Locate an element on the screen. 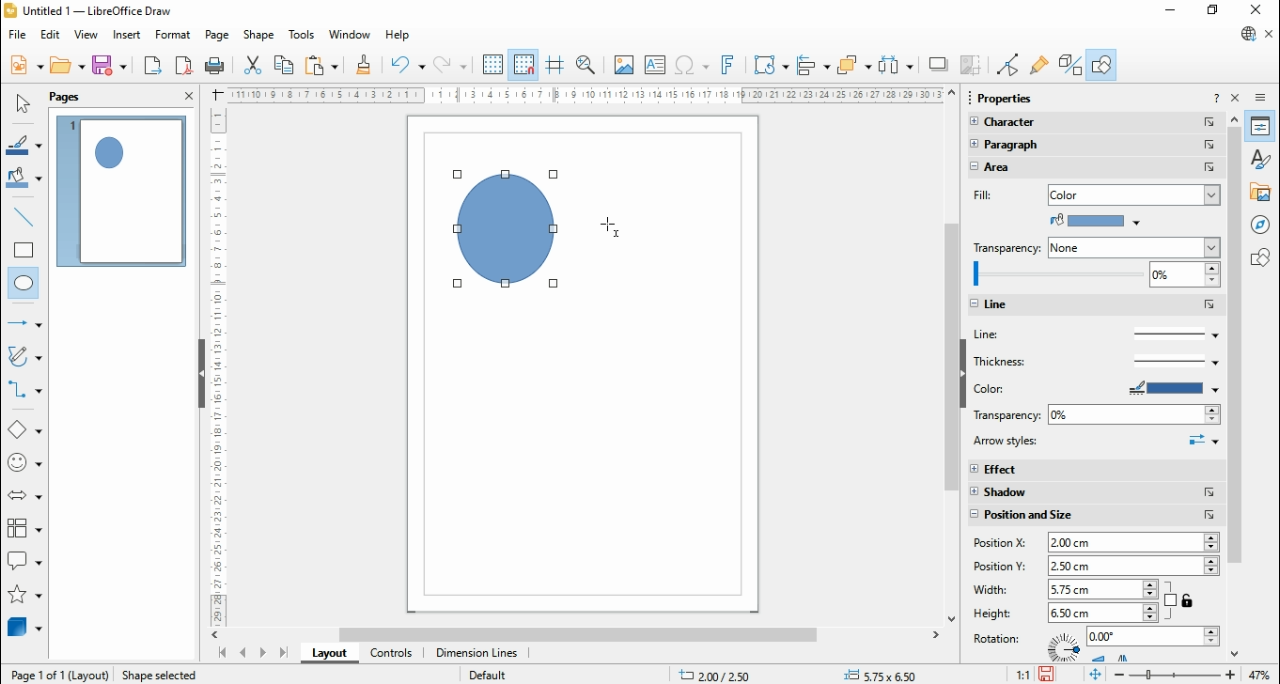 The height and width of the screenshot is (684, 1280). zoom slider is located at coordinates (1175, 675).